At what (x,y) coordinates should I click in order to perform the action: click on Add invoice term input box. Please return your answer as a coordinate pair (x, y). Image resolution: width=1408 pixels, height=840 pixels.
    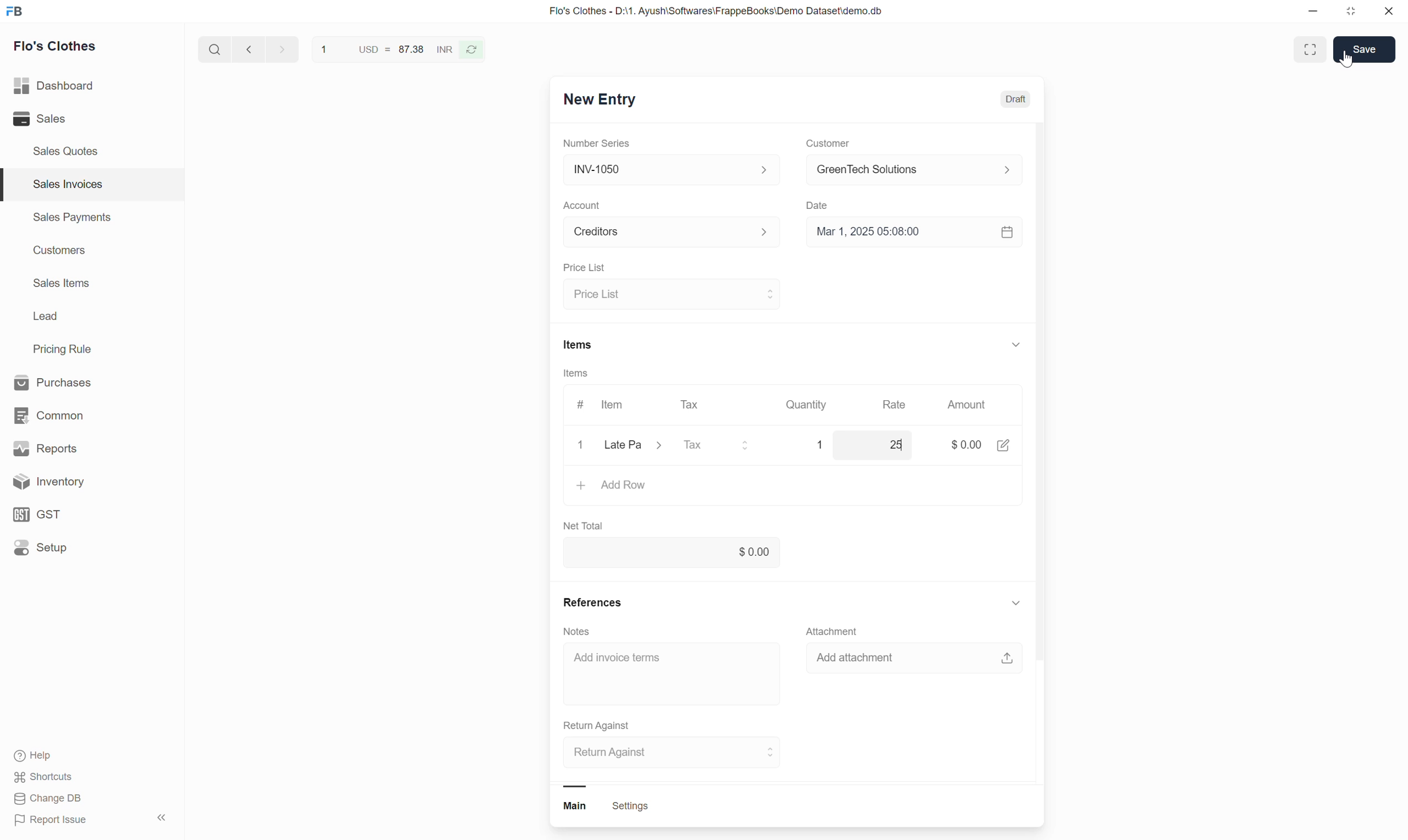
    Looking at the image, I should click on (653, 663).